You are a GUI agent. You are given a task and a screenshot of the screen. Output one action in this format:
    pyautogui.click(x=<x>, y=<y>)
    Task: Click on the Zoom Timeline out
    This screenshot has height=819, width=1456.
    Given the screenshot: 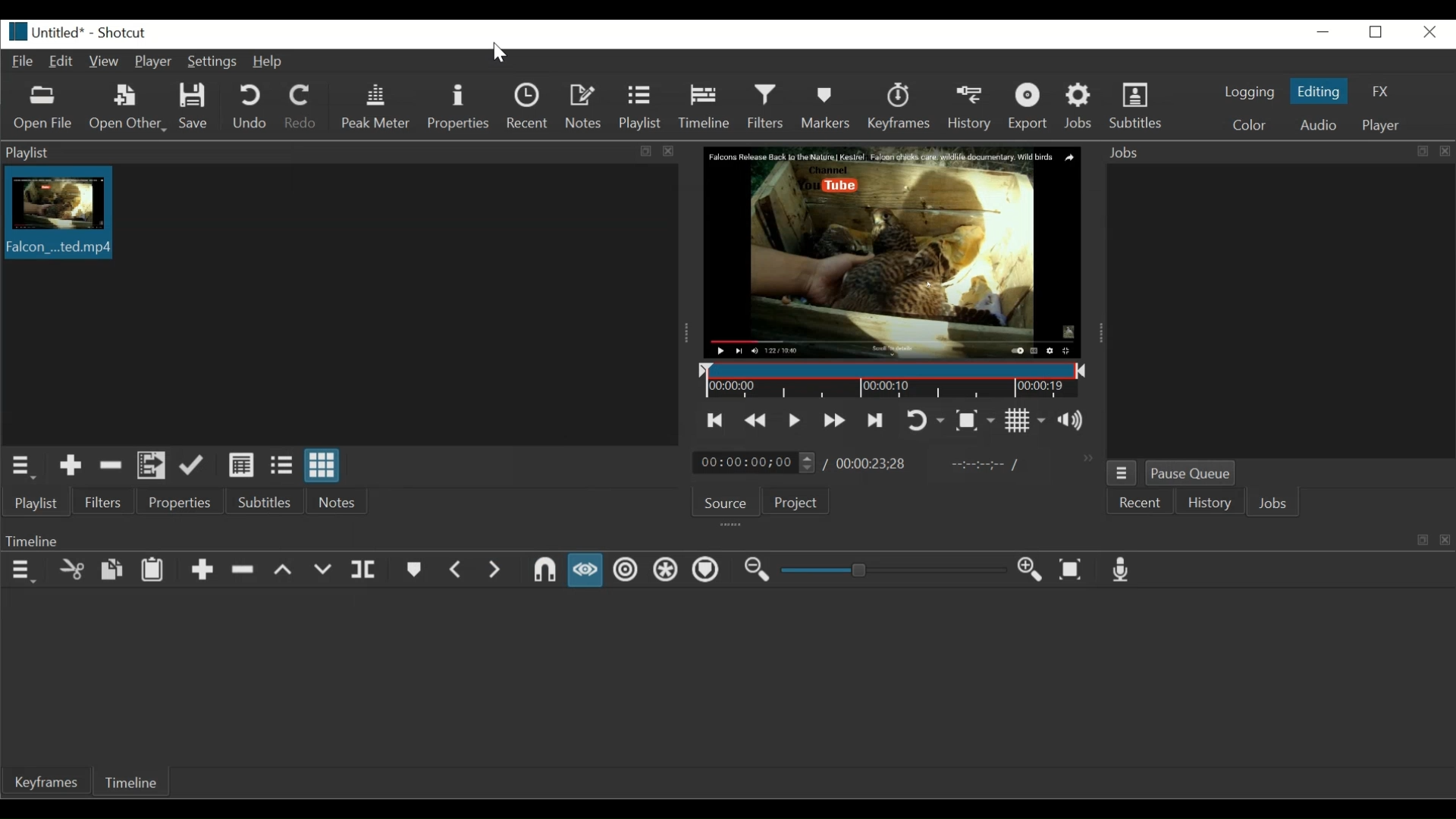 What is the action you would take?
    pyautogui.click(x=756, y=570)
    